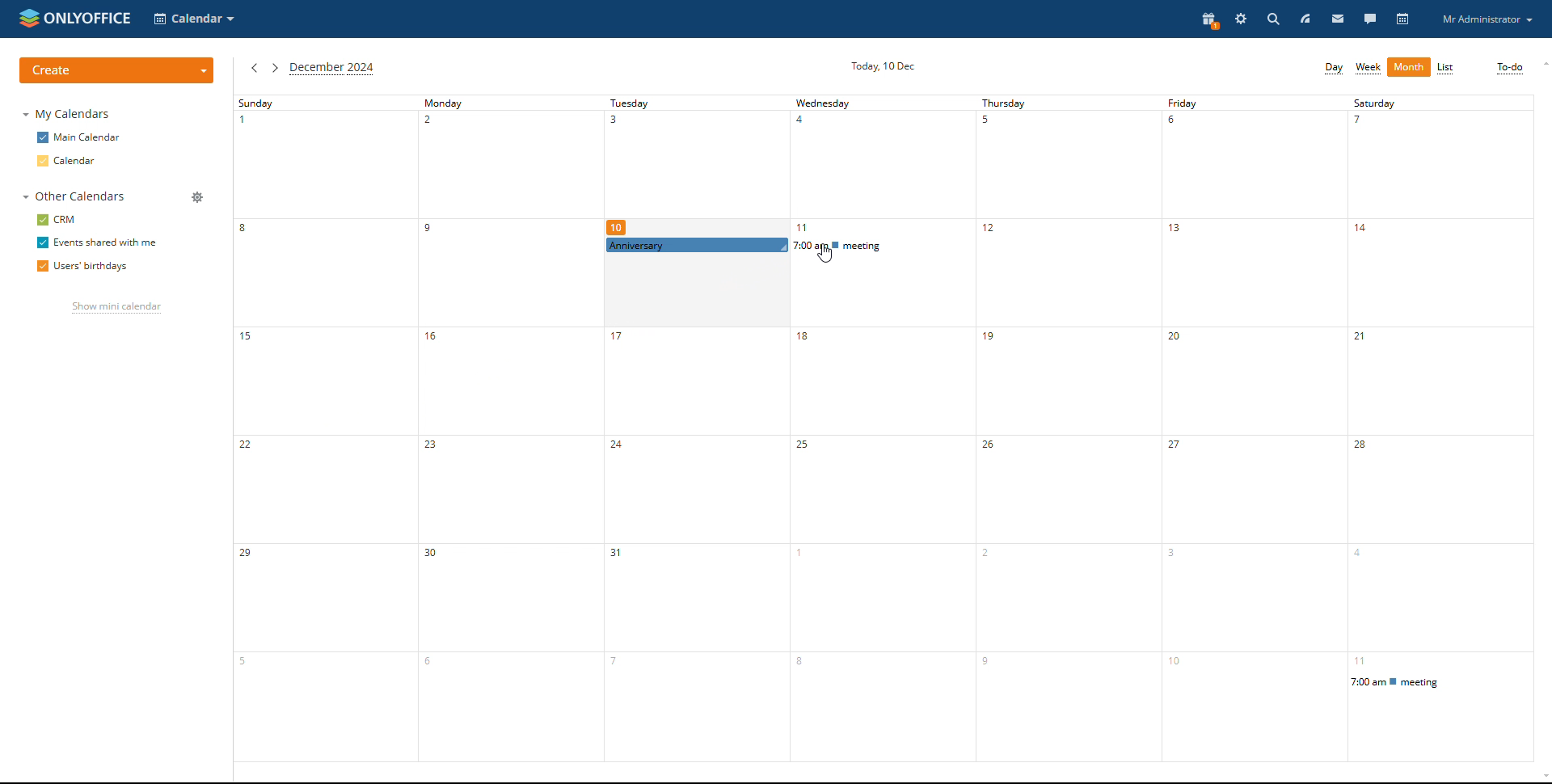  What do you see at coordinates (1255, 428) in the screenshot?
I see `friday` at bounding box center [1255, 428].